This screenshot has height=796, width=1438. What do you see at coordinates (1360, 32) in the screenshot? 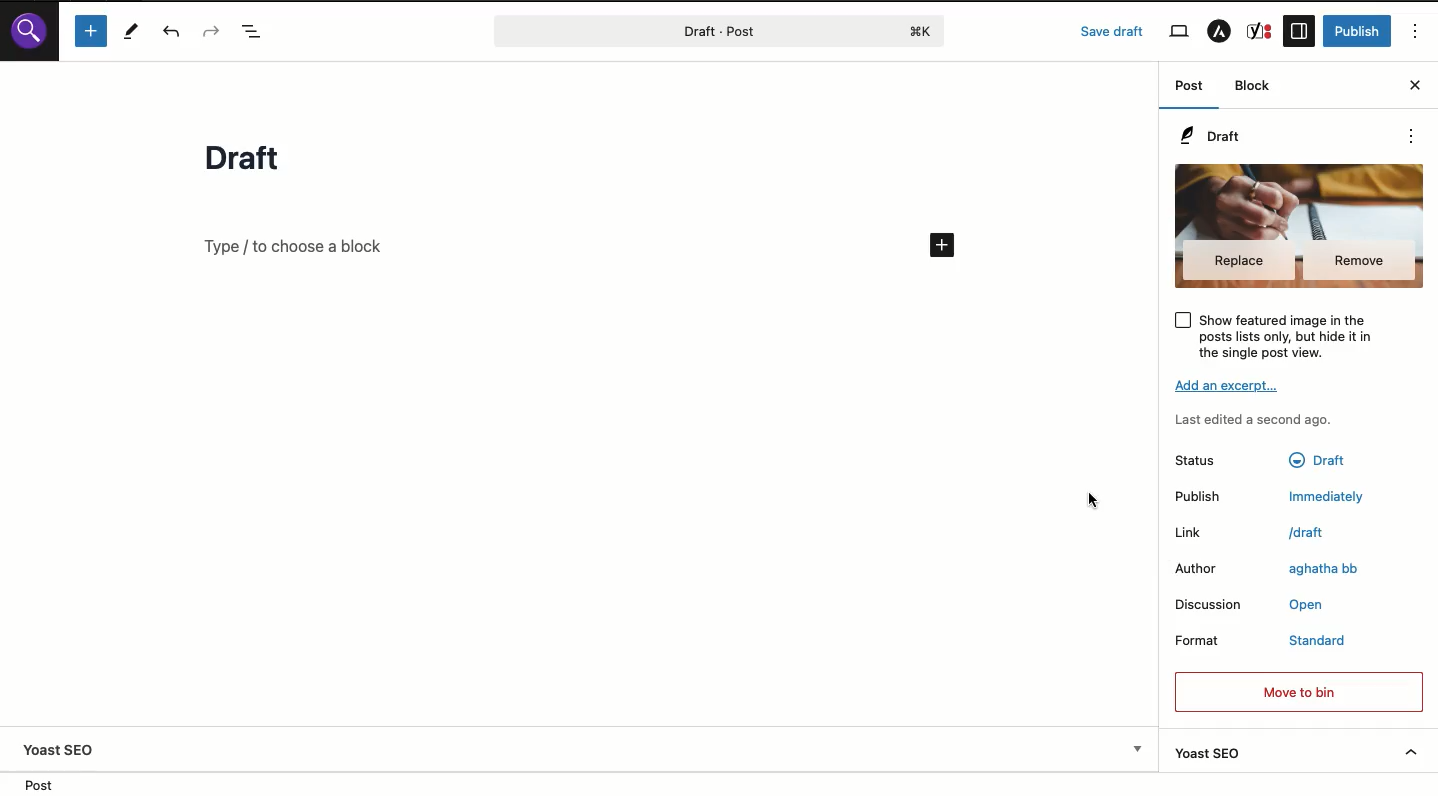
I see `Publish ` at bounding box center [1360, 32].